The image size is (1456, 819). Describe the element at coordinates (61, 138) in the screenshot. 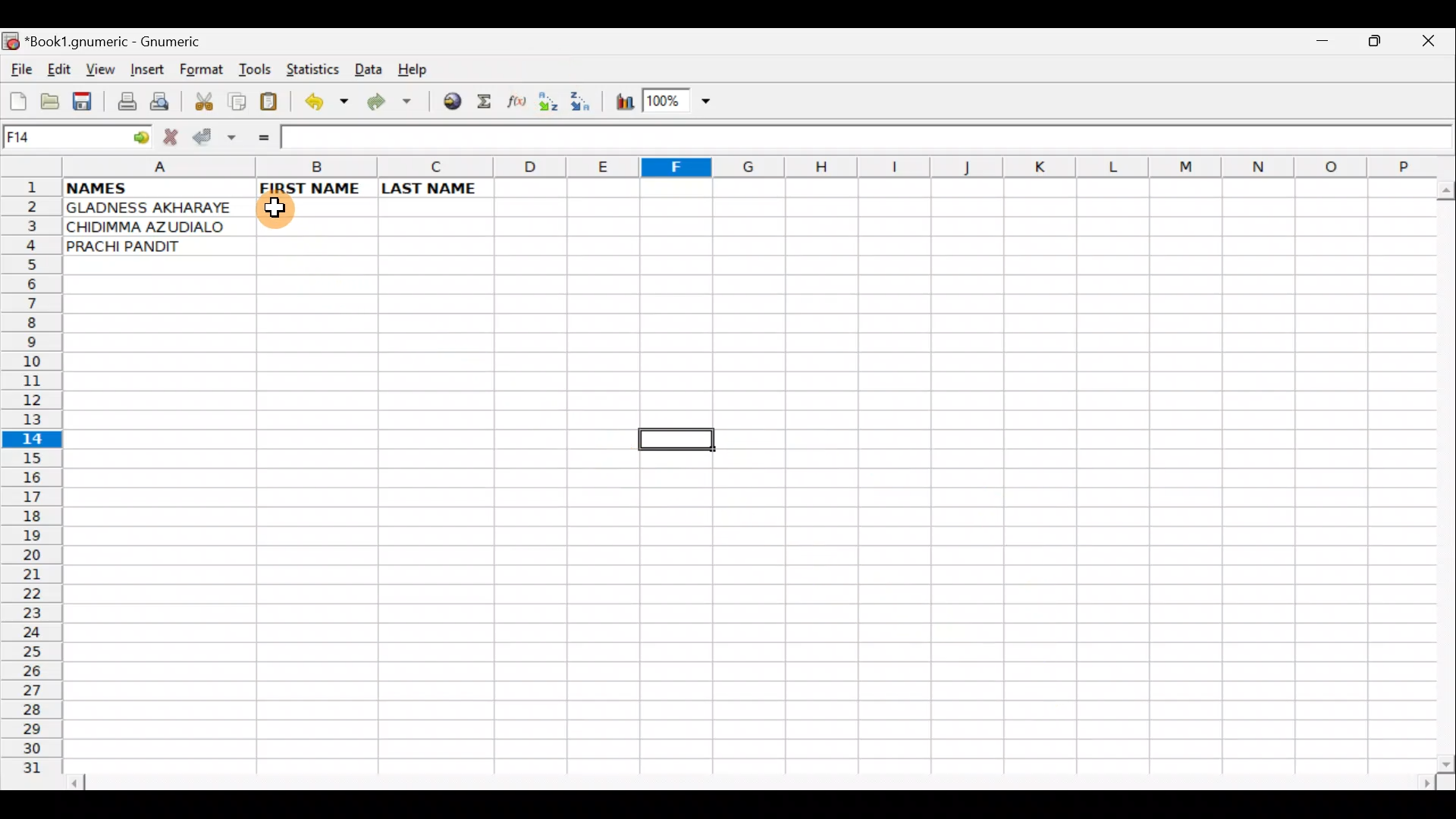

I see `Cell name F14` at that location.